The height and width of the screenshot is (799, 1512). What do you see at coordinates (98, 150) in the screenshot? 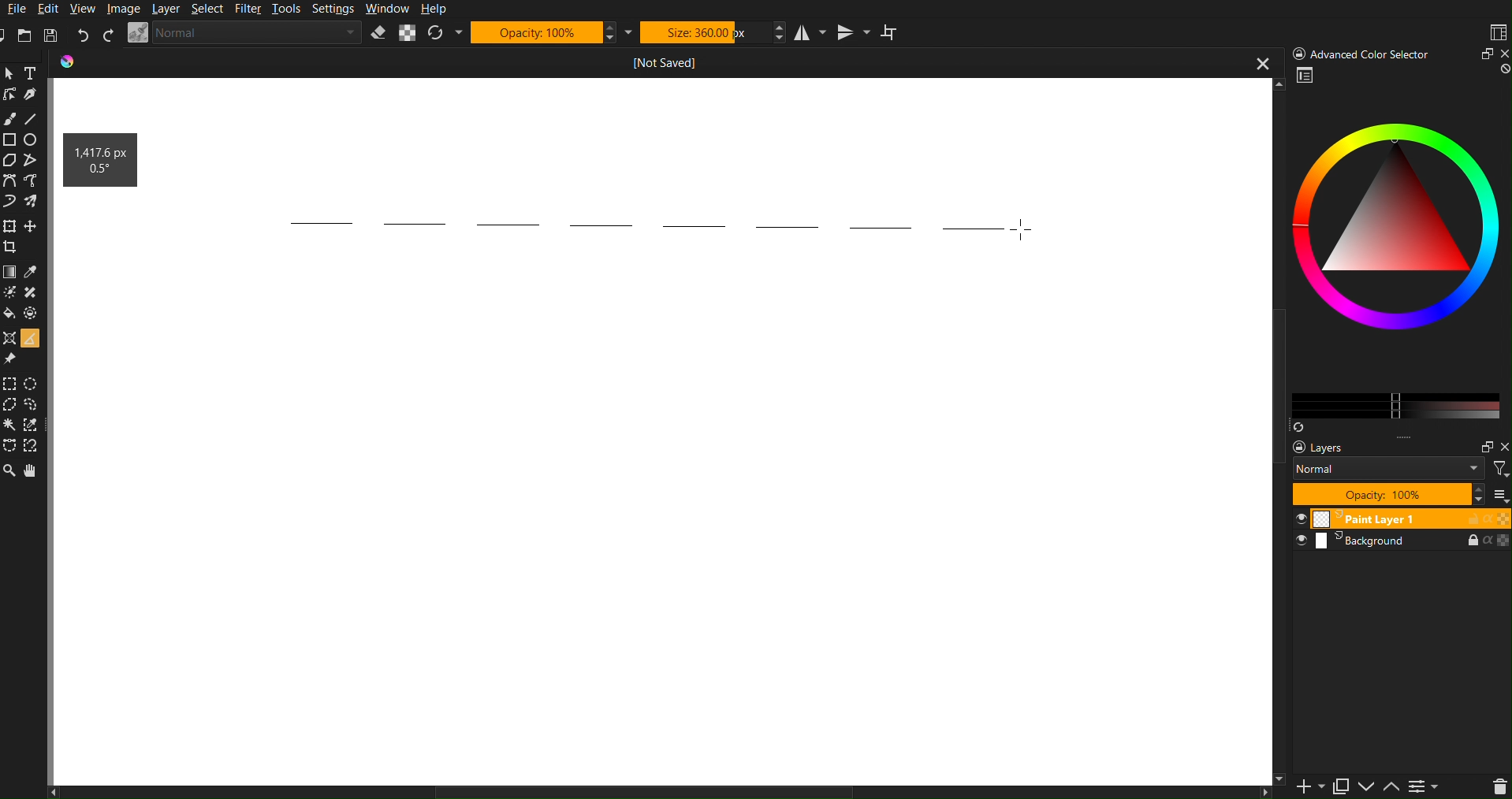
I see `Length` at bounding box center [98, 150].